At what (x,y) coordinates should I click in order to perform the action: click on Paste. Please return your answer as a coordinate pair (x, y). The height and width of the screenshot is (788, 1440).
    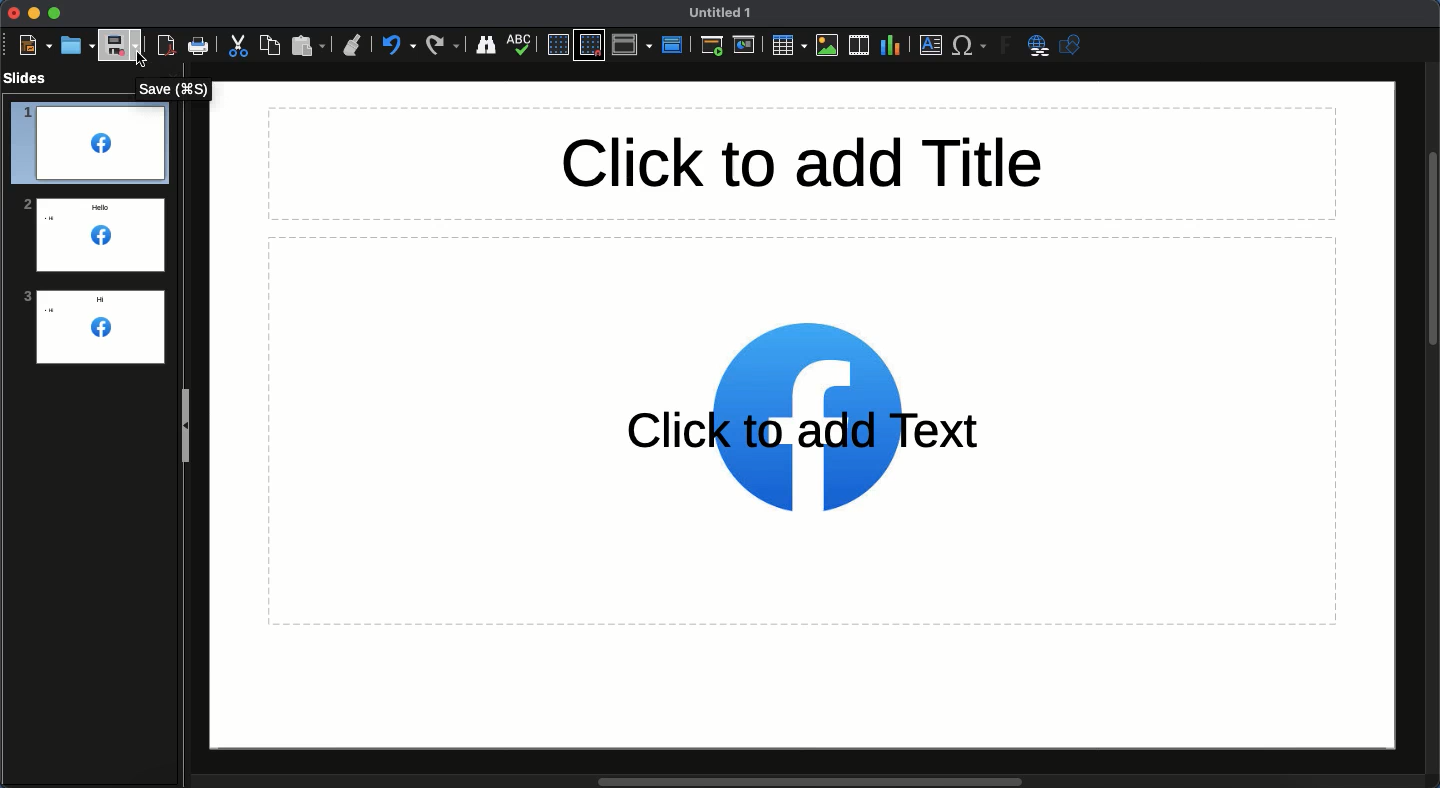
    Looking at the image, I should click on (310, 46).